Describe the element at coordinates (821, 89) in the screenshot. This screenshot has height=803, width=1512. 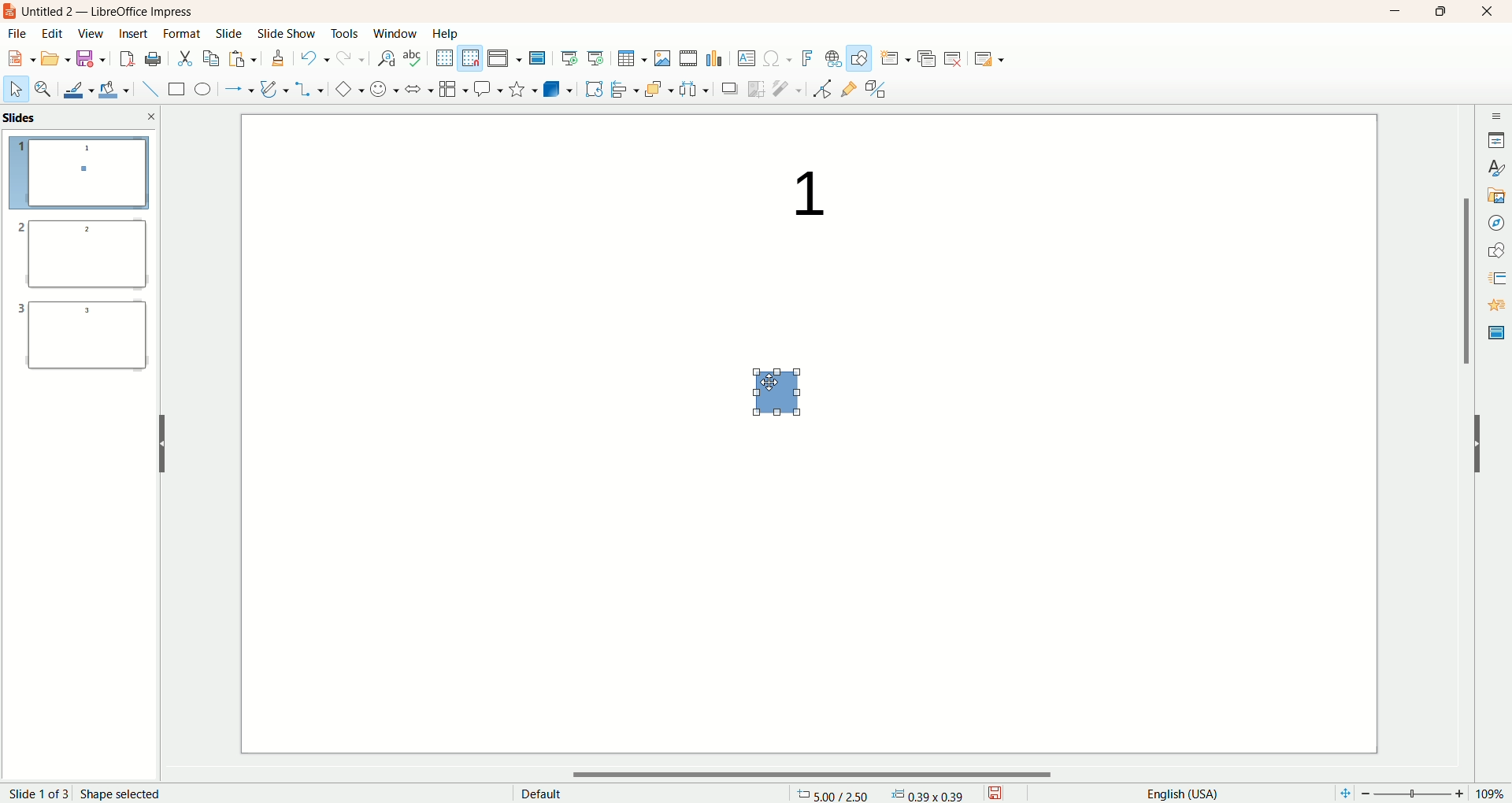
I see `point edit mode` at that location.